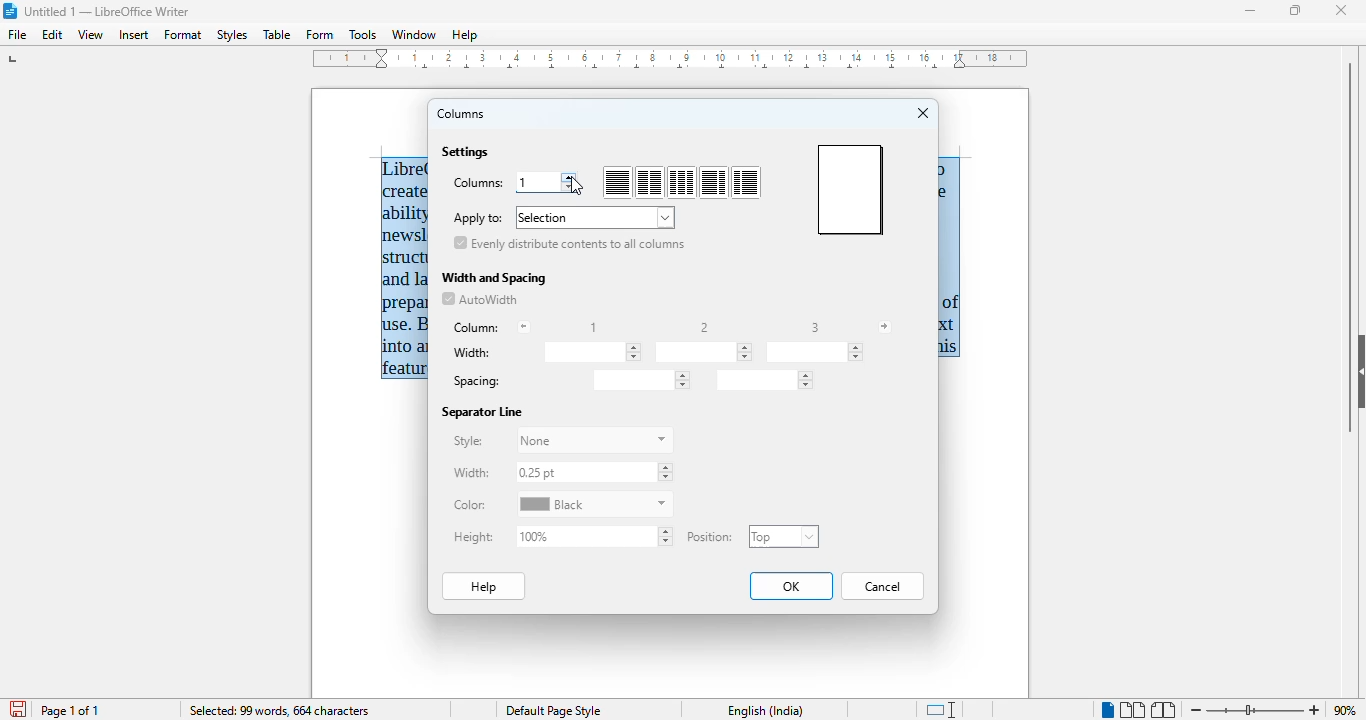 The height and width of the screenshot is (720, 1366). I want to click on cancel, so click(883, 586).